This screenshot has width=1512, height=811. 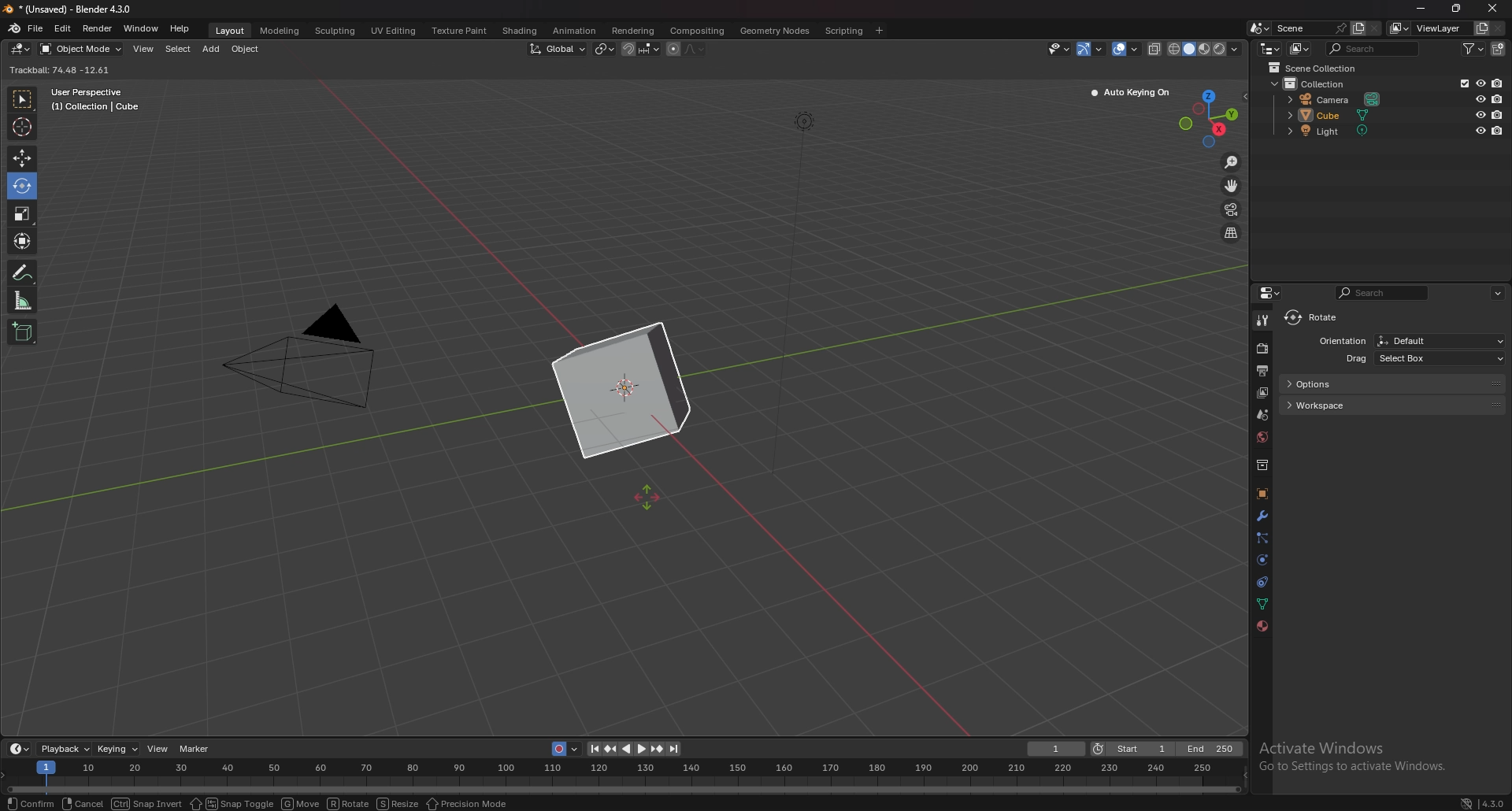 What do you see at coordinates (1213, 117) in the screenshot?
I see `preset viewpoint` at bounding box center [1213, 117].